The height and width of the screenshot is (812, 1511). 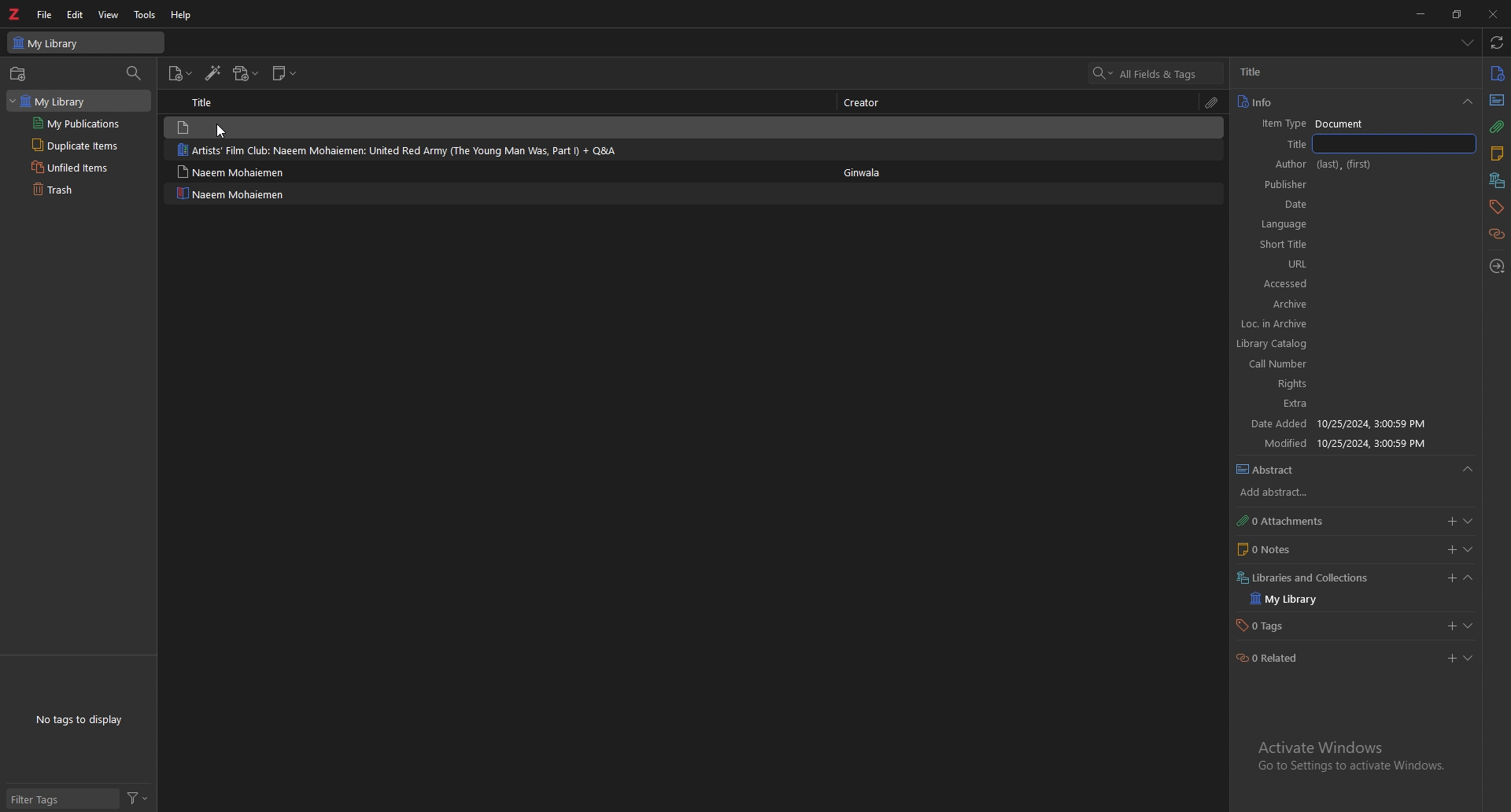 I want to click on author, so click(x=1310, y=164).